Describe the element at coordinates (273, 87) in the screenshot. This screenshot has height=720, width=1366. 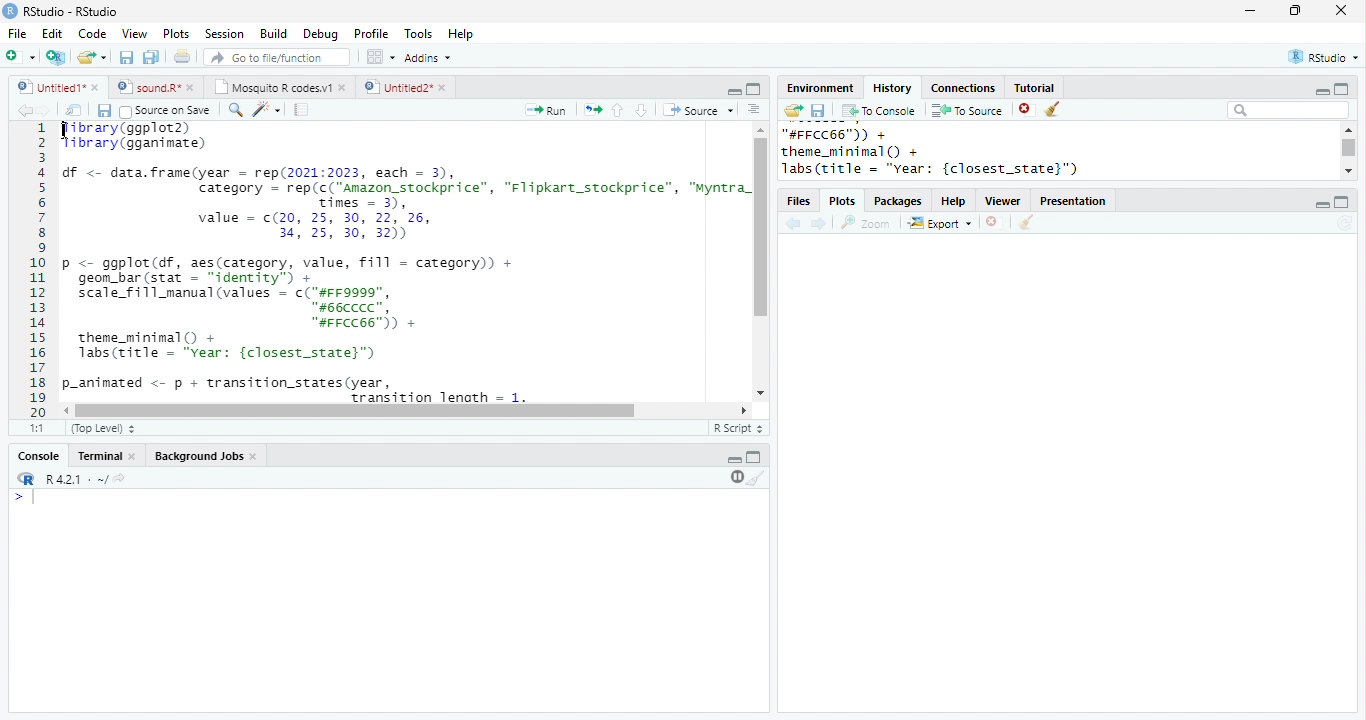
I see `Mosquito R codes.v1` at that location.